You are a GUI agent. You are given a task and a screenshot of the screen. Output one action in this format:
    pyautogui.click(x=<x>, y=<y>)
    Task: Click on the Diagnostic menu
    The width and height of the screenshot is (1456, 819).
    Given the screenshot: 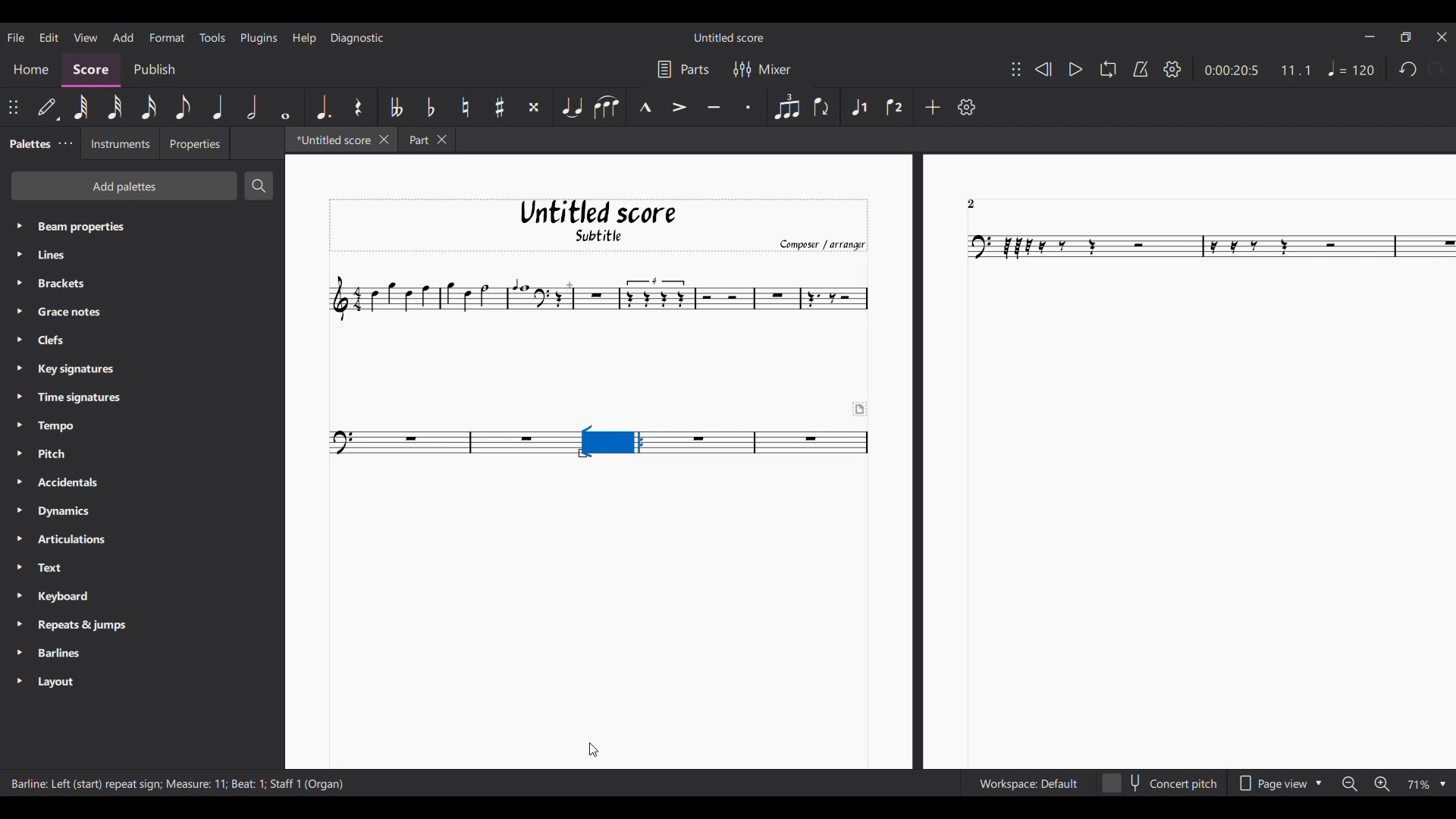 What is the action you would take?
    pyautogui.click(x=357, y=39)
    